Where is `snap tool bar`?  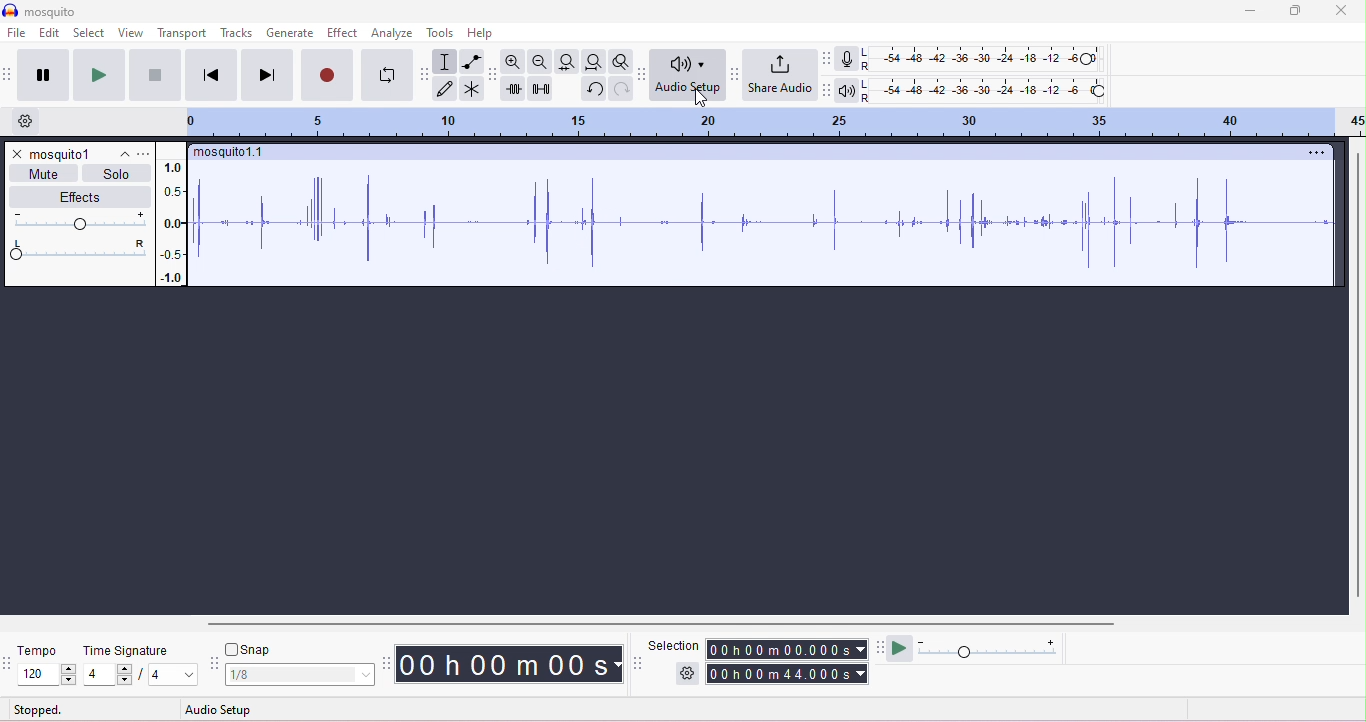 snap tool bar is located at coordinates (215, 665).